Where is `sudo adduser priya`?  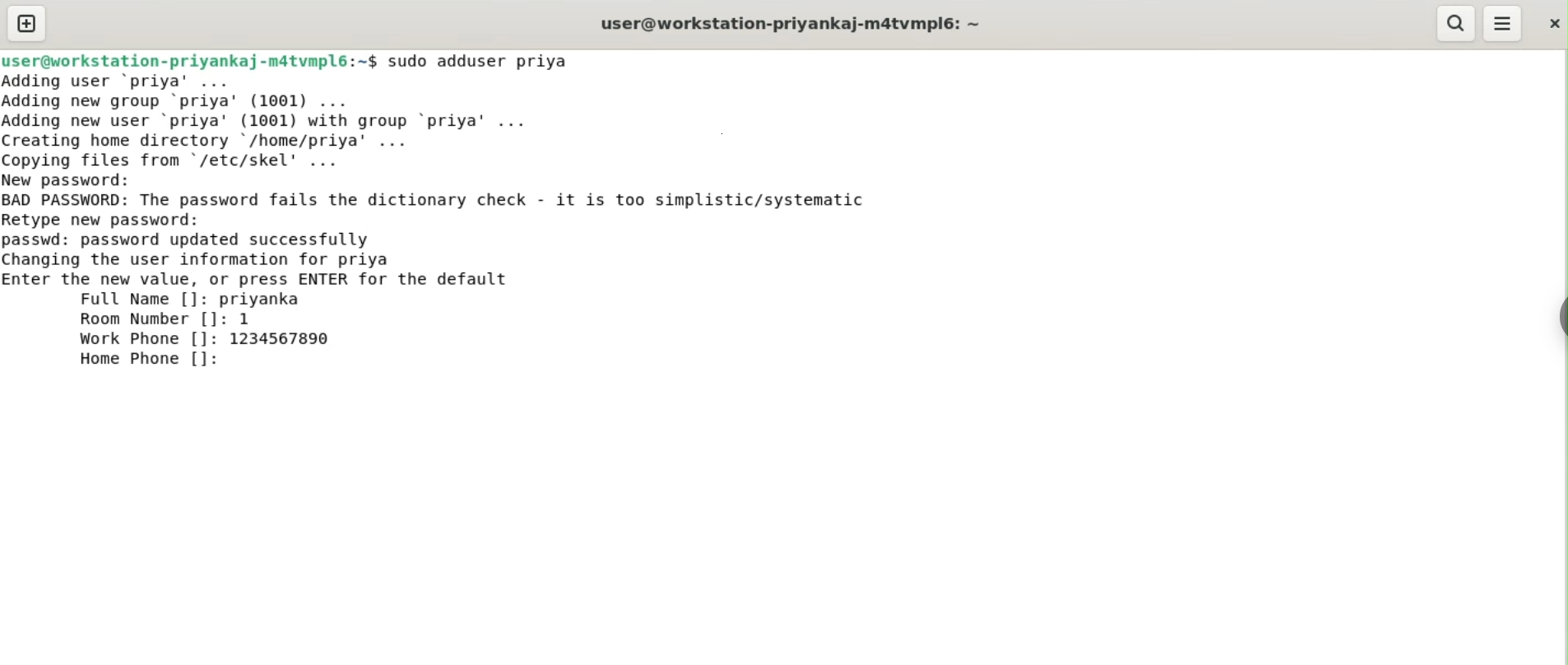 sudo adduser priya is located at coordinates (480, 61).